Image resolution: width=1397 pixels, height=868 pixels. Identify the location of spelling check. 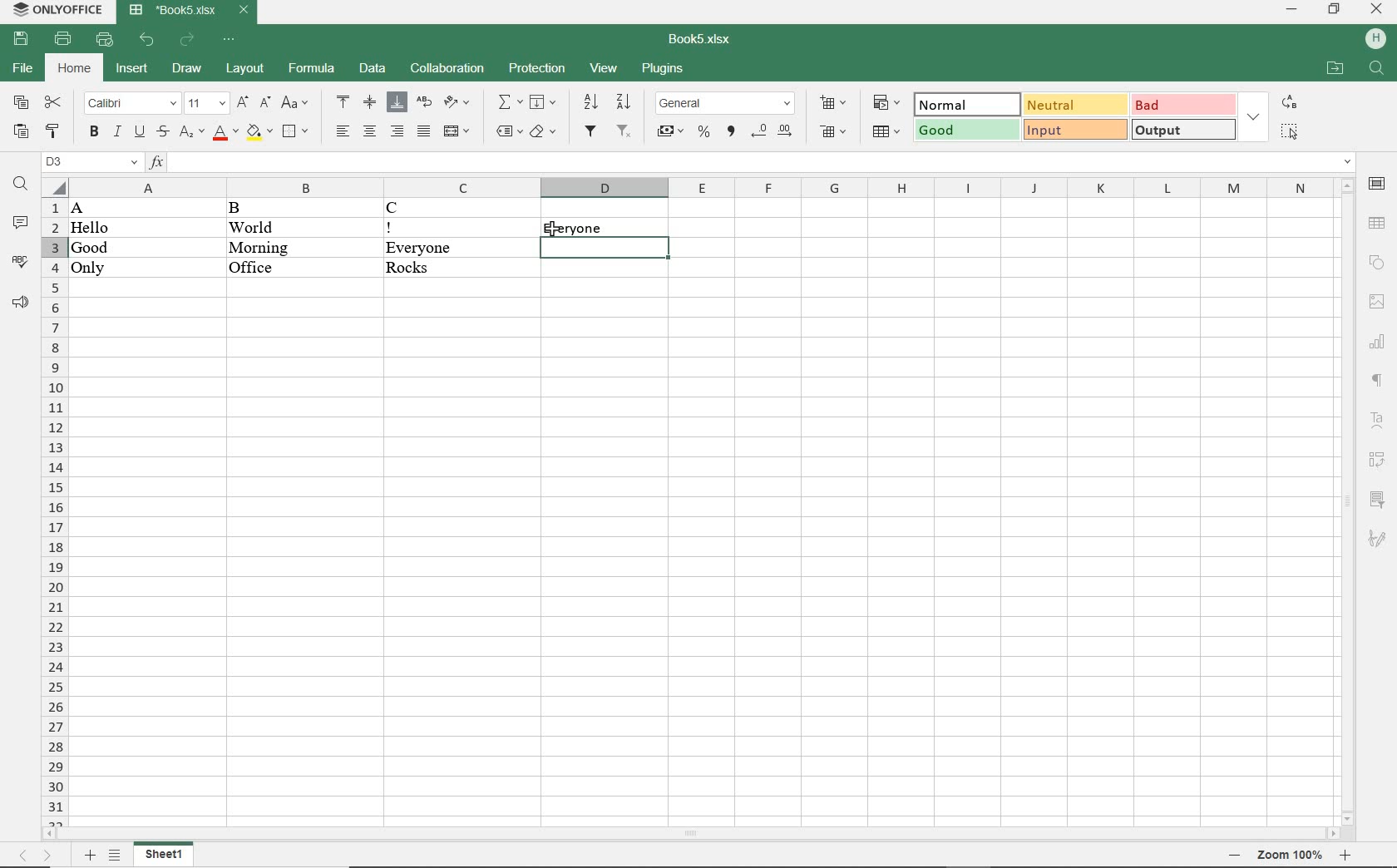
(22, 263).